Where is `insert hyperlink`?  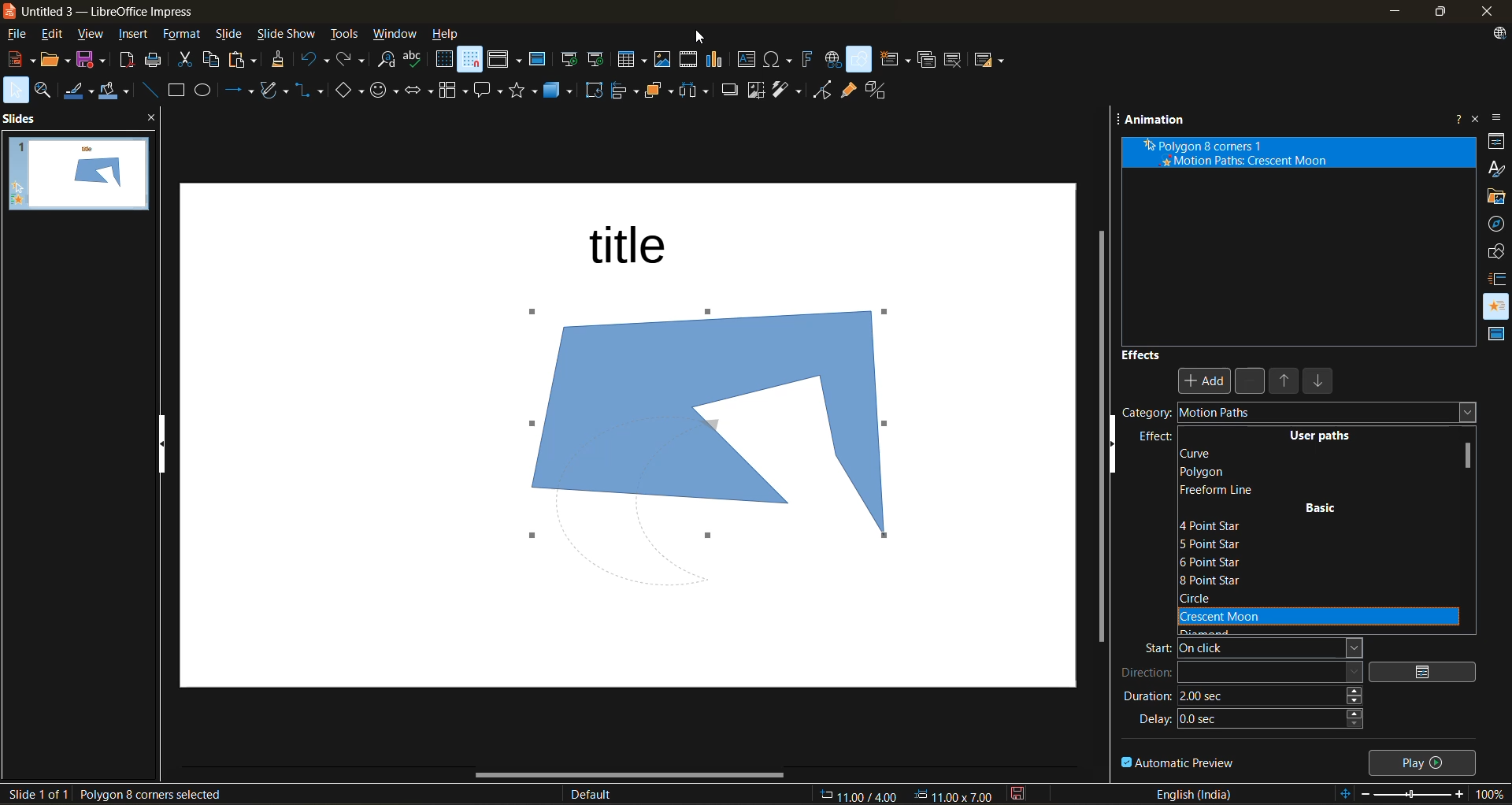 insert hyperlink is located at coordinates (832, 61).